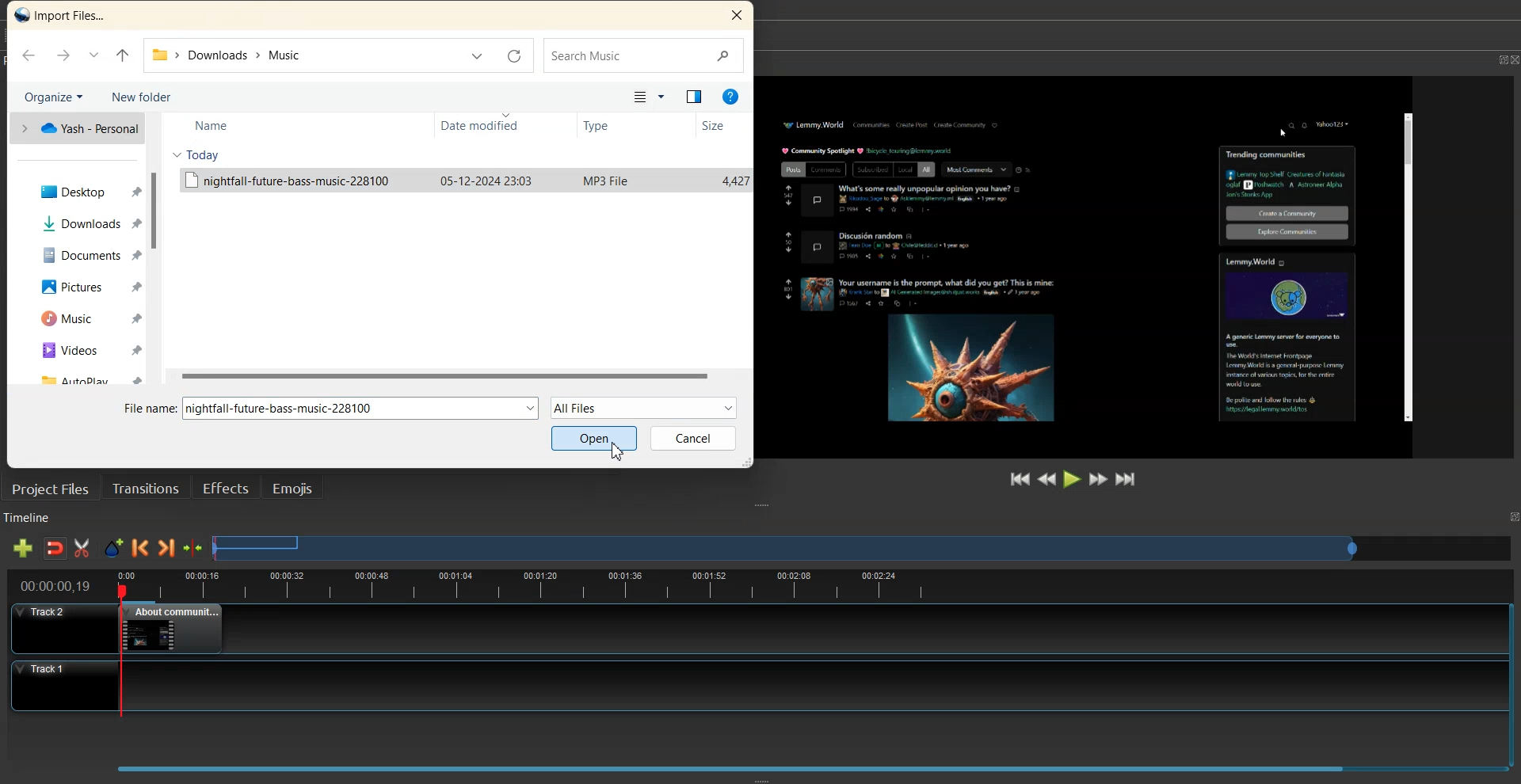 Image resolution: width=1521 pixels, height=784 pixels. I want to click on Window Adjuster, so click(762, 778).